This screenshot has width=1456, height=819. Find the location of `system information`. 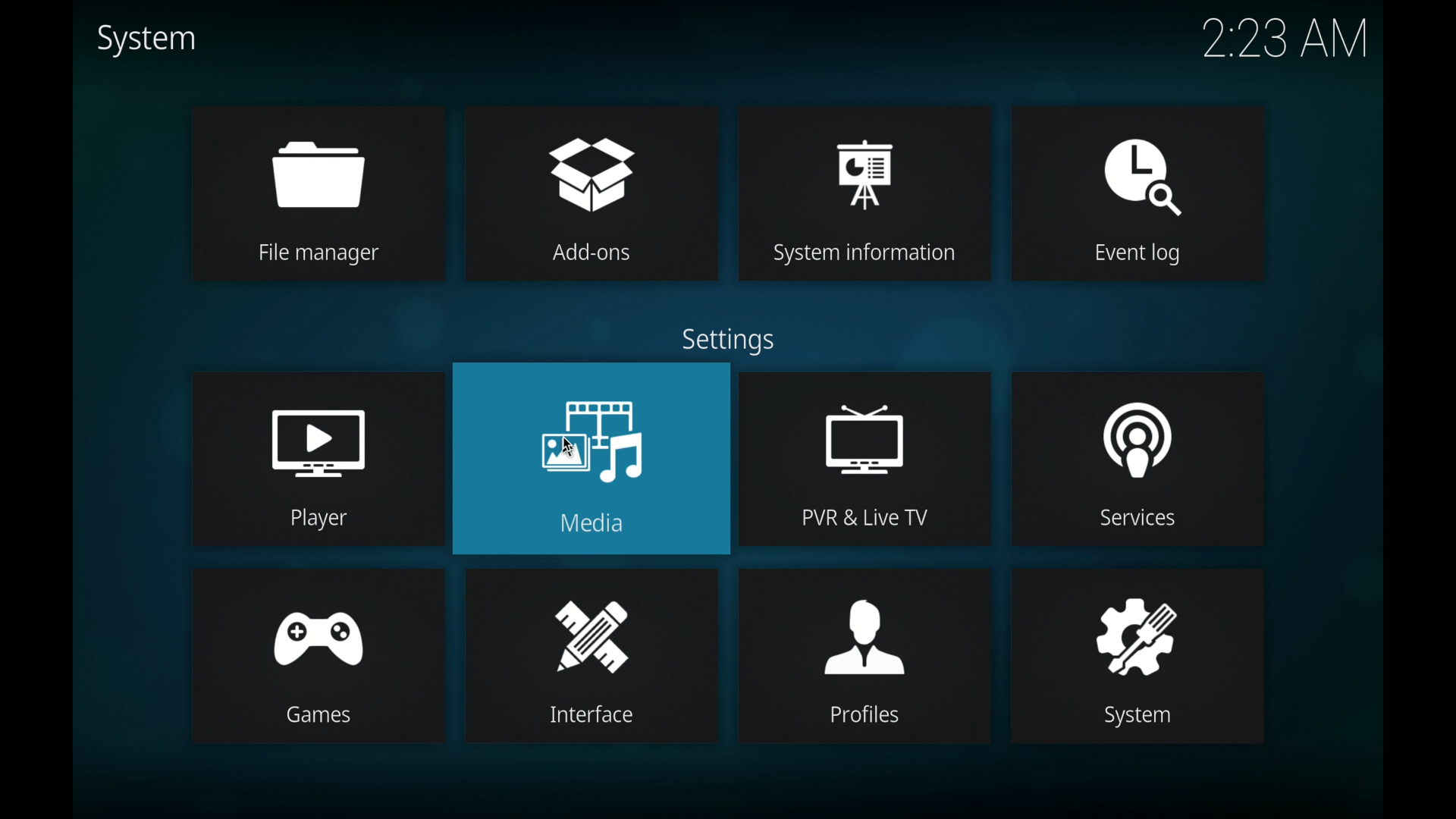

system information is located at coordinates (865, 156).